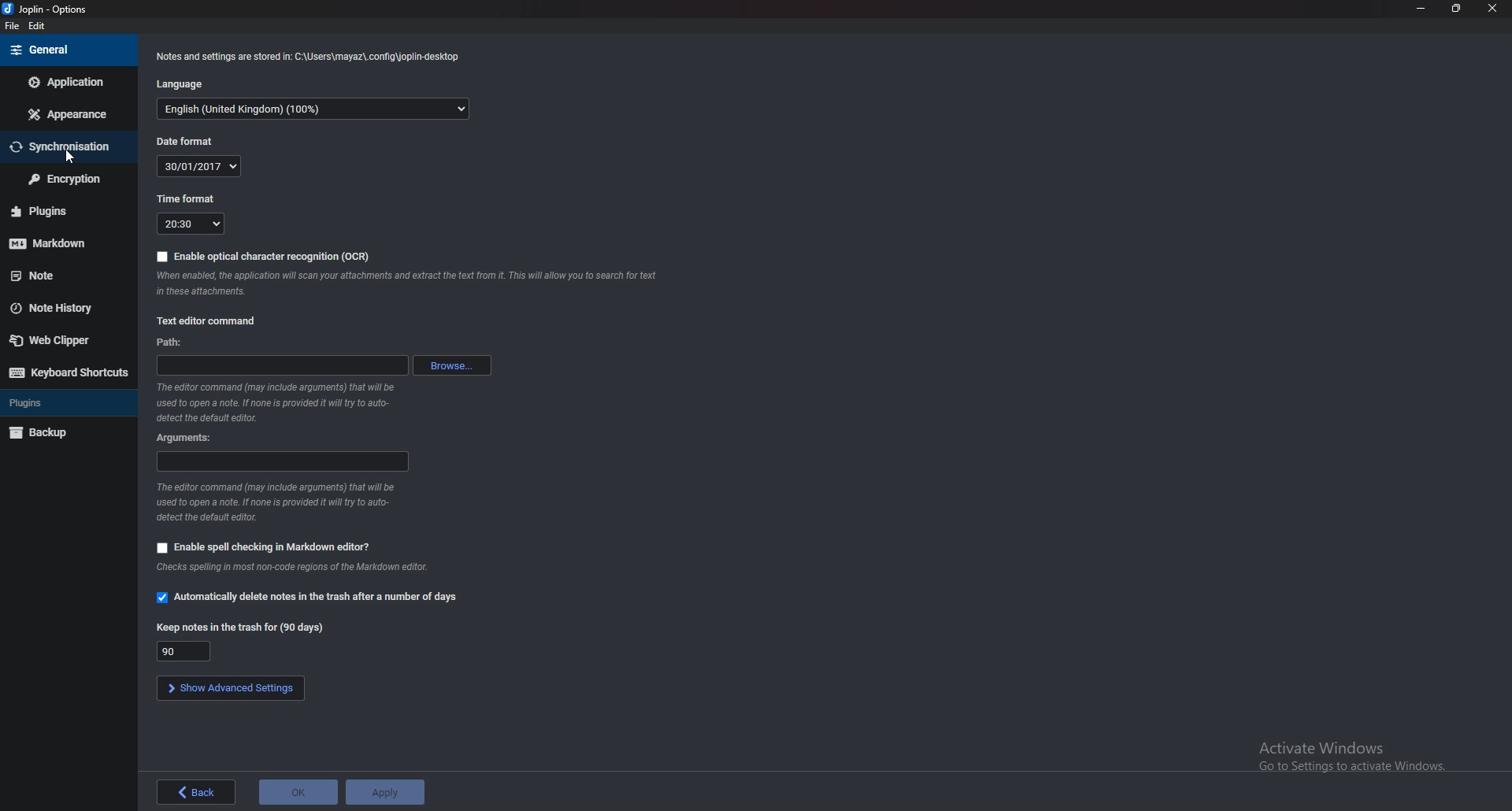 Image resolution: width=1512 pixels, height=811 pixels. Describe the element at coordinates (40, 25) in the screenshot. I see `edit` at that location.